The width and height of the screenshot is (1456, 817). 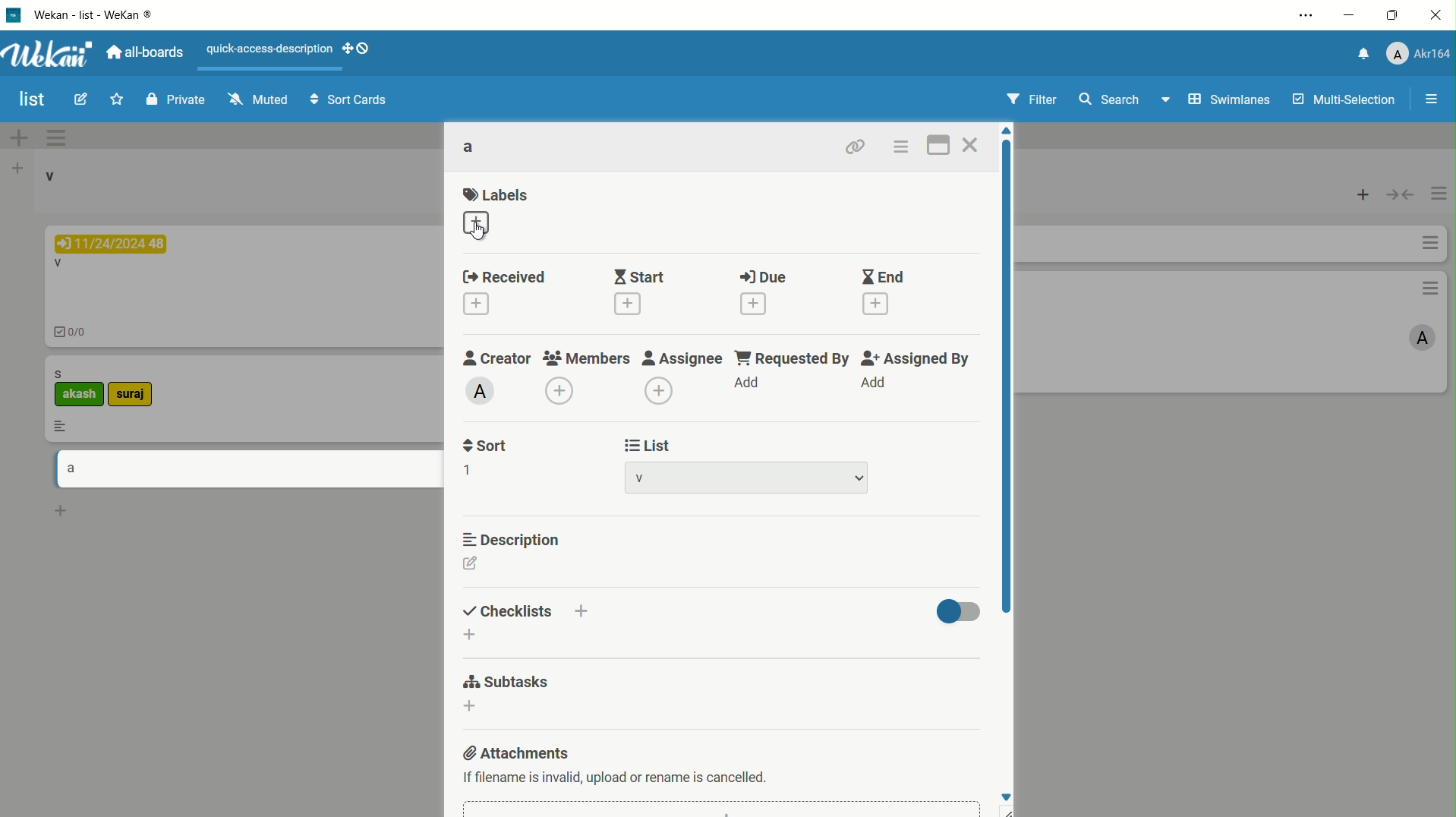 I want to click on suraj, so click(x=148, y=393).